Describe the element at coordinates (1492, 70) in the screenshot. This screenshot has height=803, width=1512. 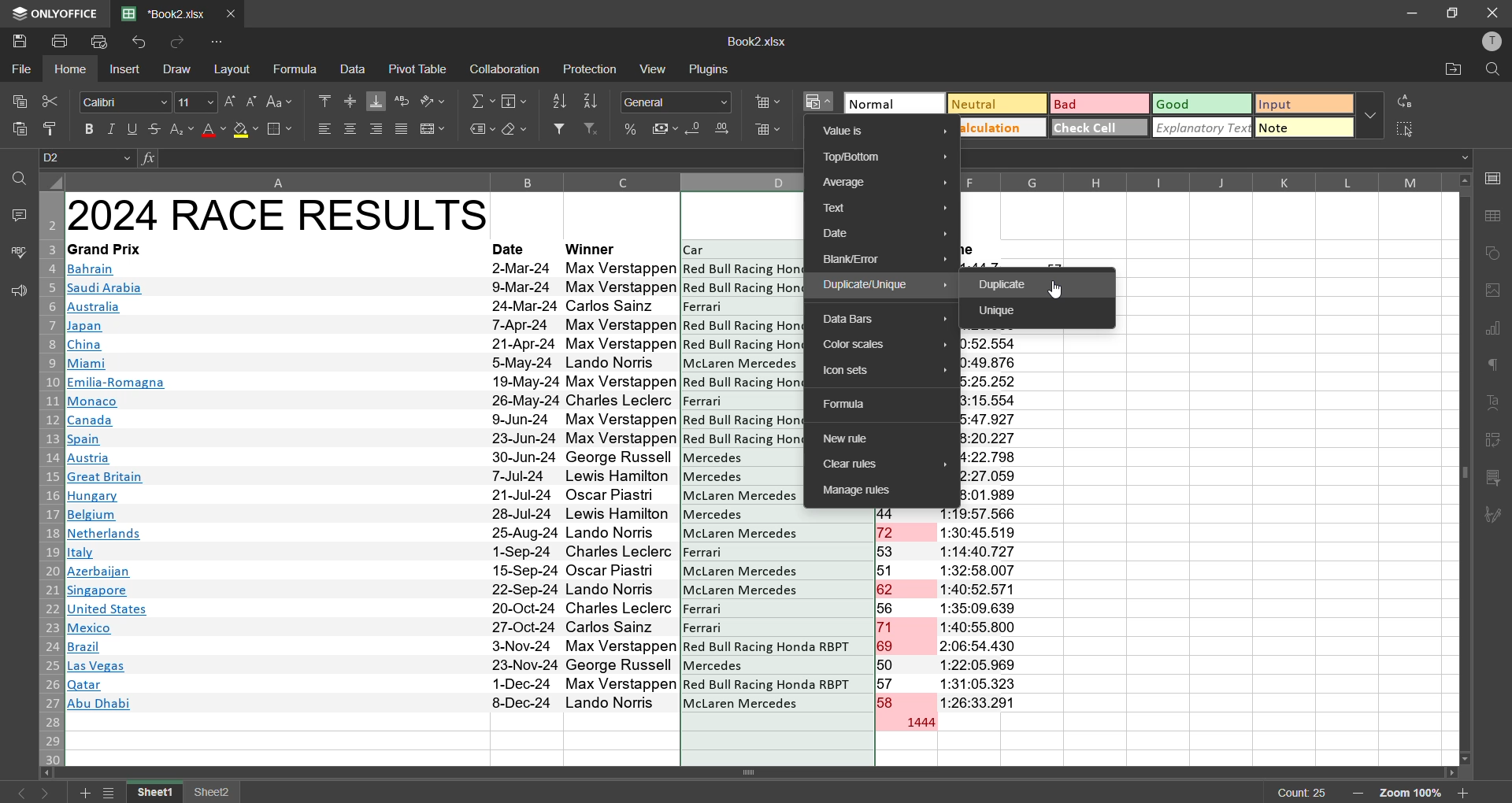
I see `find` at that location.